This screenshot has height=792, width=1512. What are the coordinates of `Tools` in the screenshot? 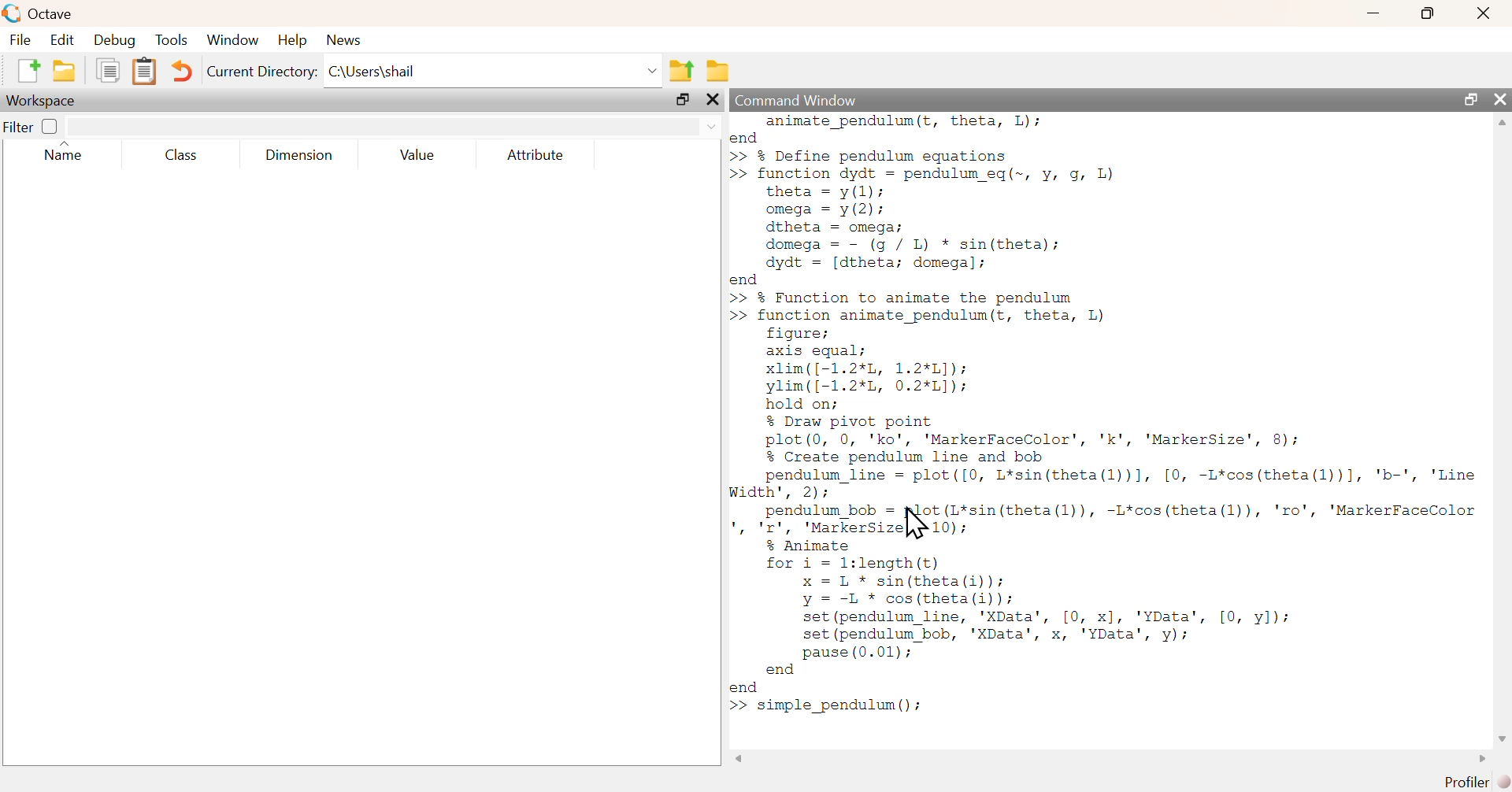 It's located at (172, 41).